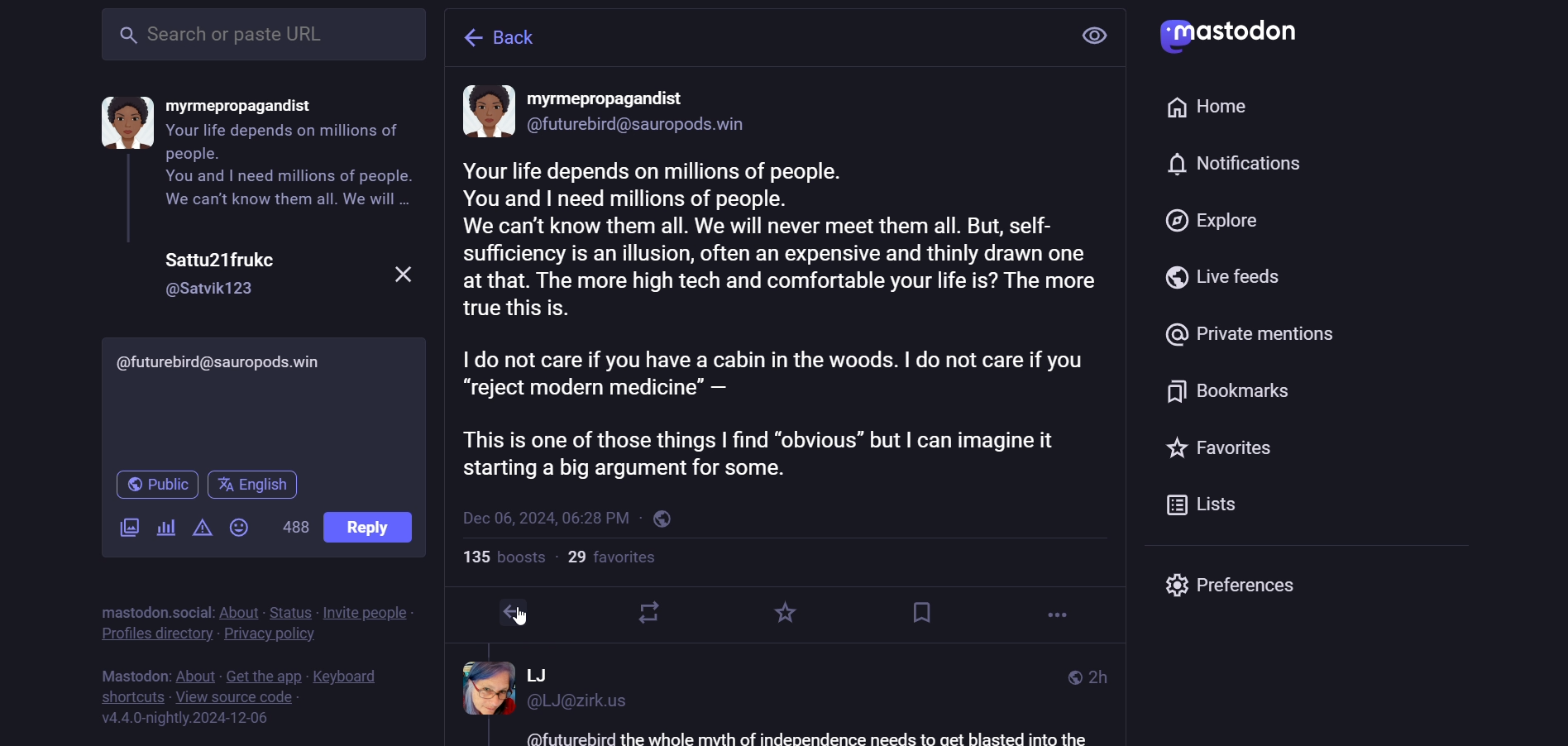 Image resolution: width=1568 pixels, height=746 pixels. I want to click on english, so click(256, 484).